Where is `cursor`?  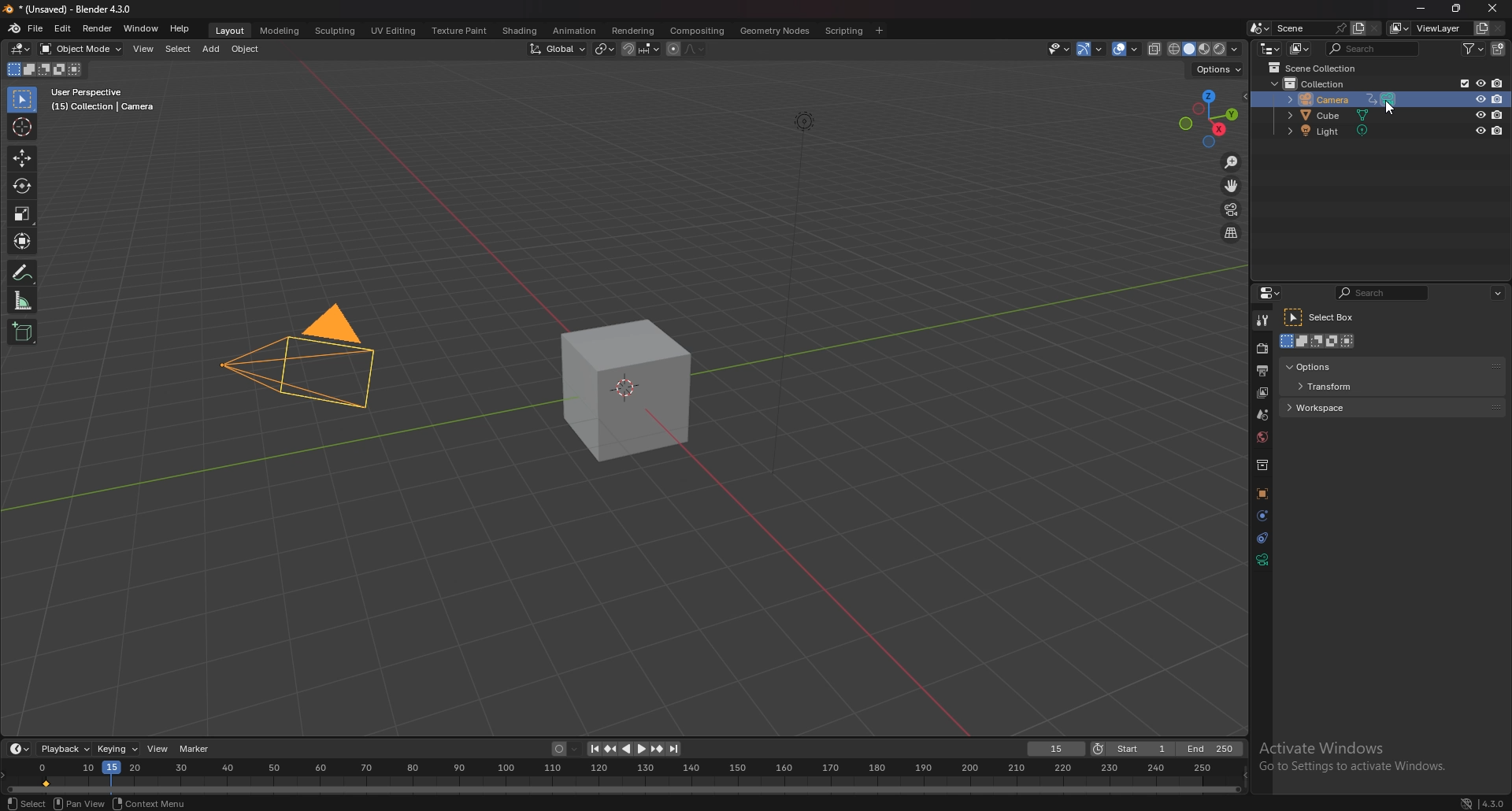 cursor is located at coordinates (24, 126).